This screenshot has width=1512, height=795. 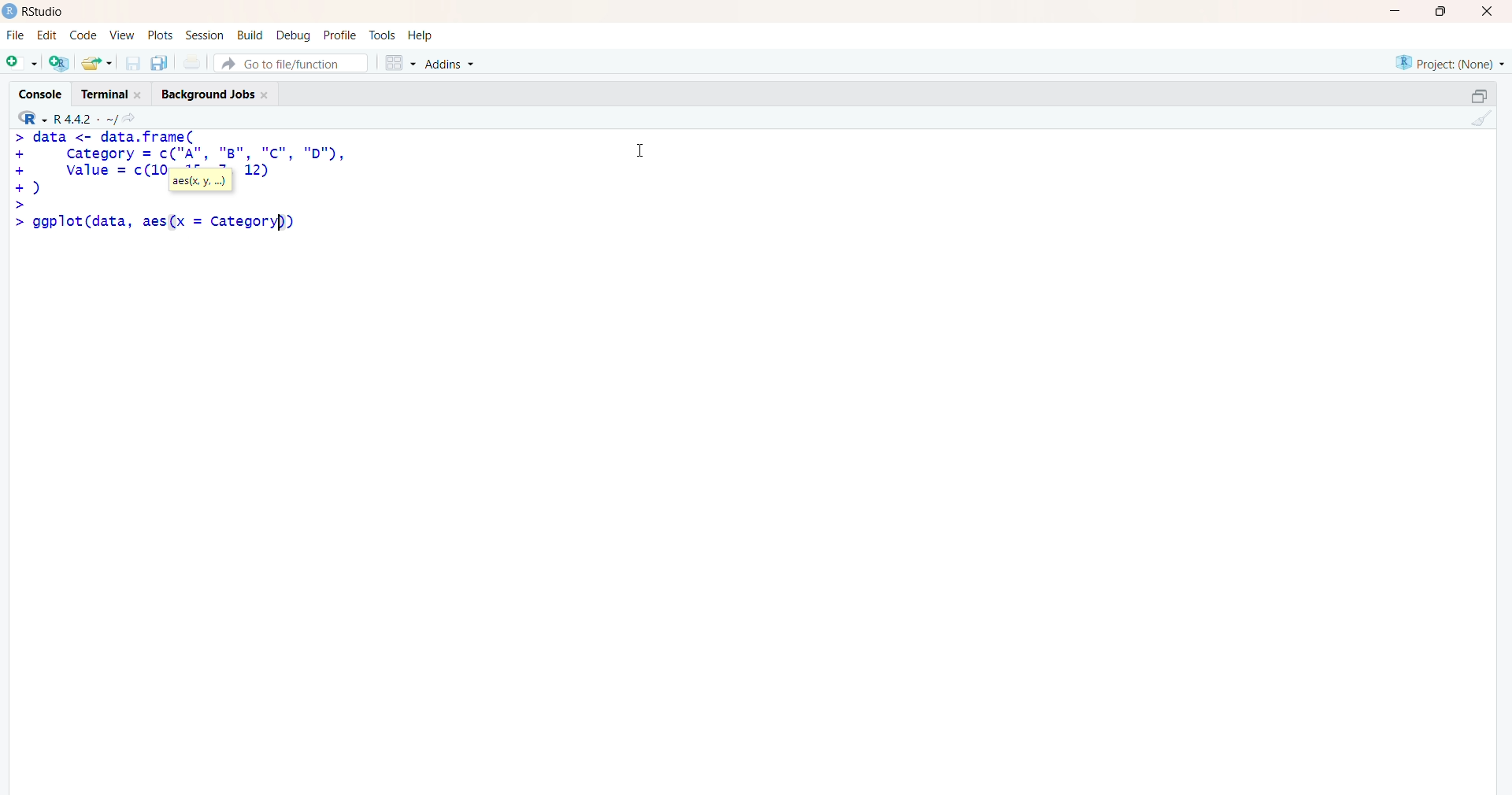 I want to click on go to directiory, so click(x=133, y=118).